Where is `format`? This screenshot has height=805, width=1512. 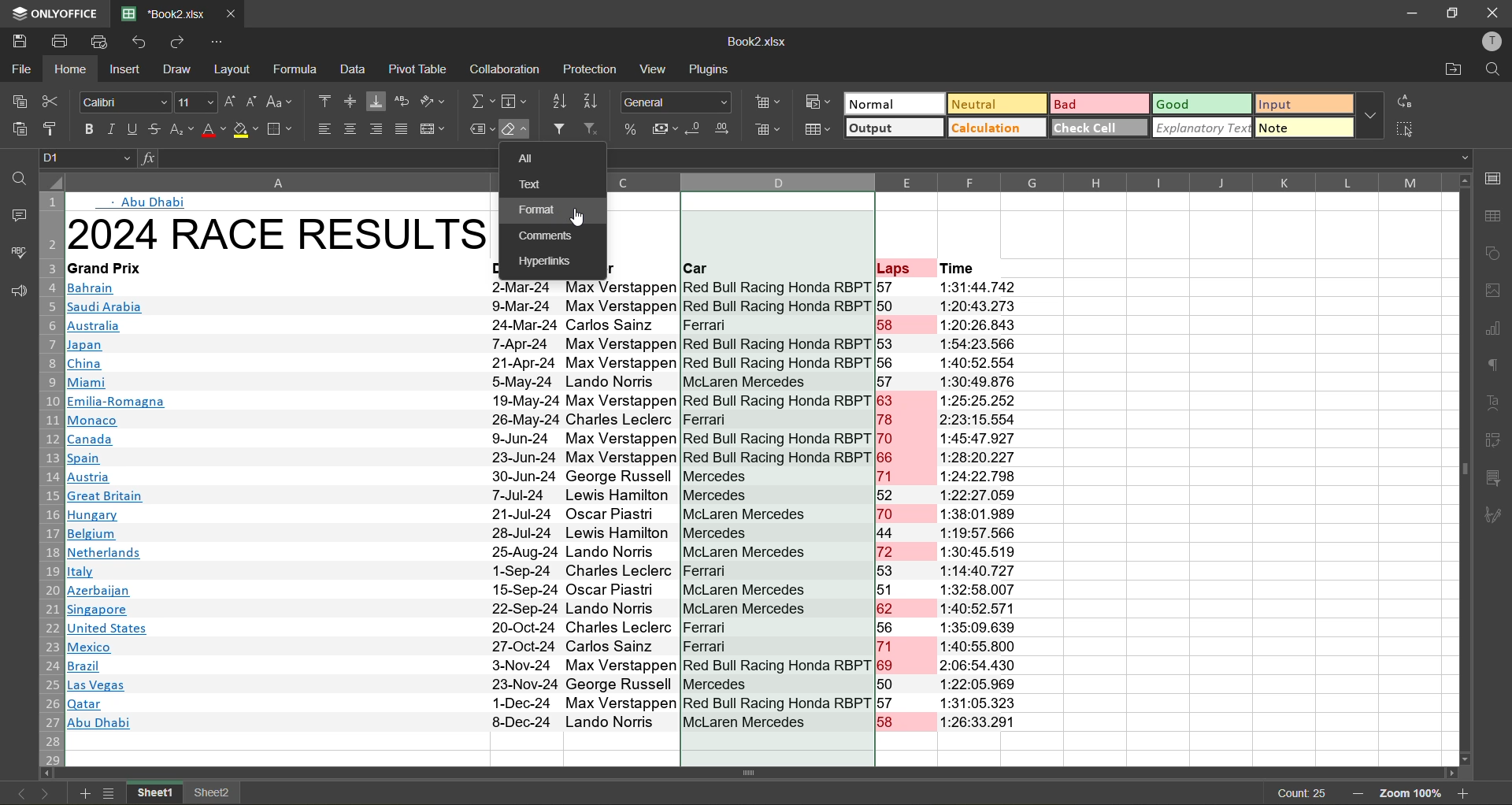
format is located at coordinates (543, 210).